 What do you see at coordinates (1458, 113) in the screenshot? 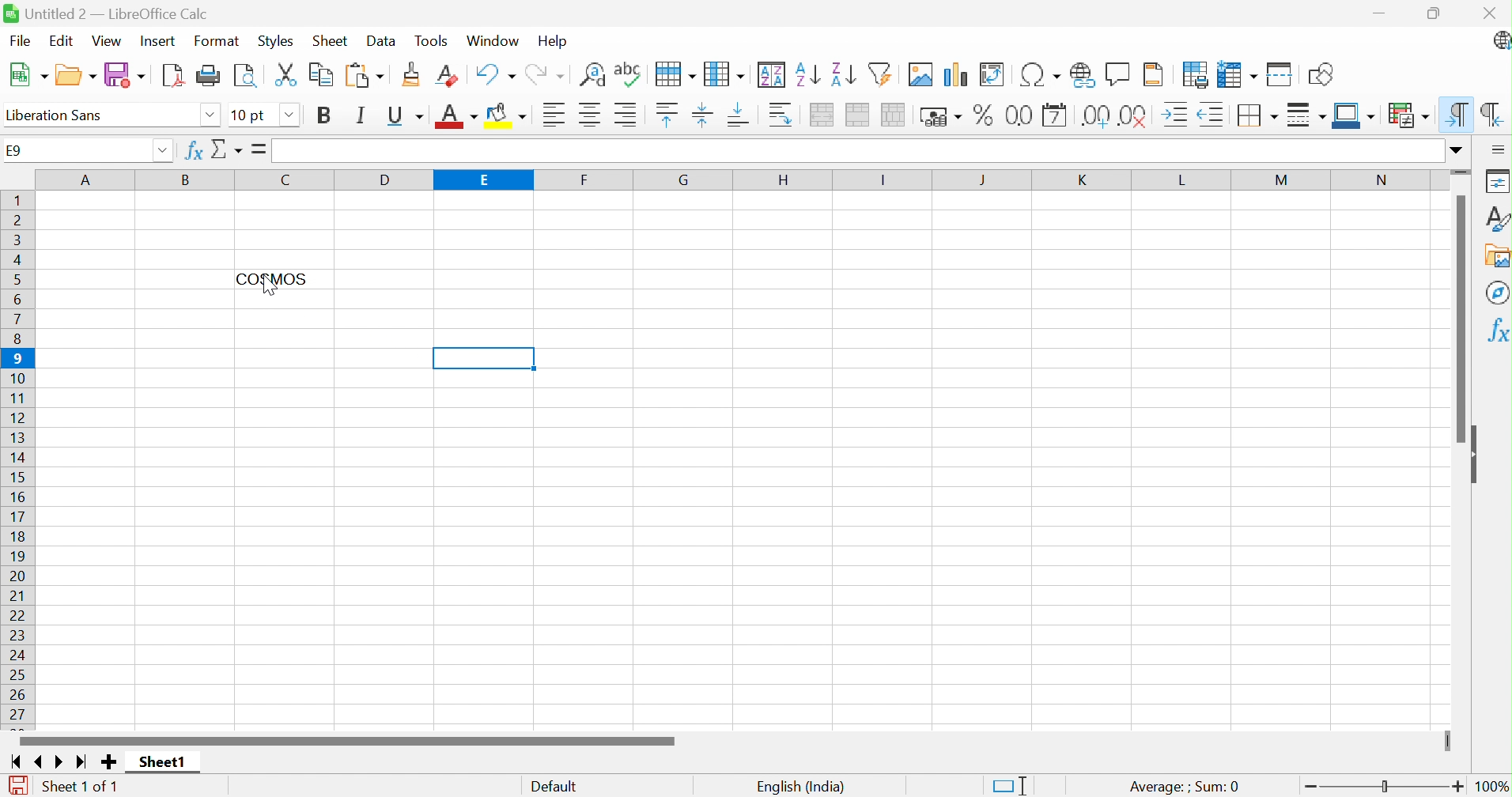
I see `Left-to-right` at bounding box center [1458, 113].